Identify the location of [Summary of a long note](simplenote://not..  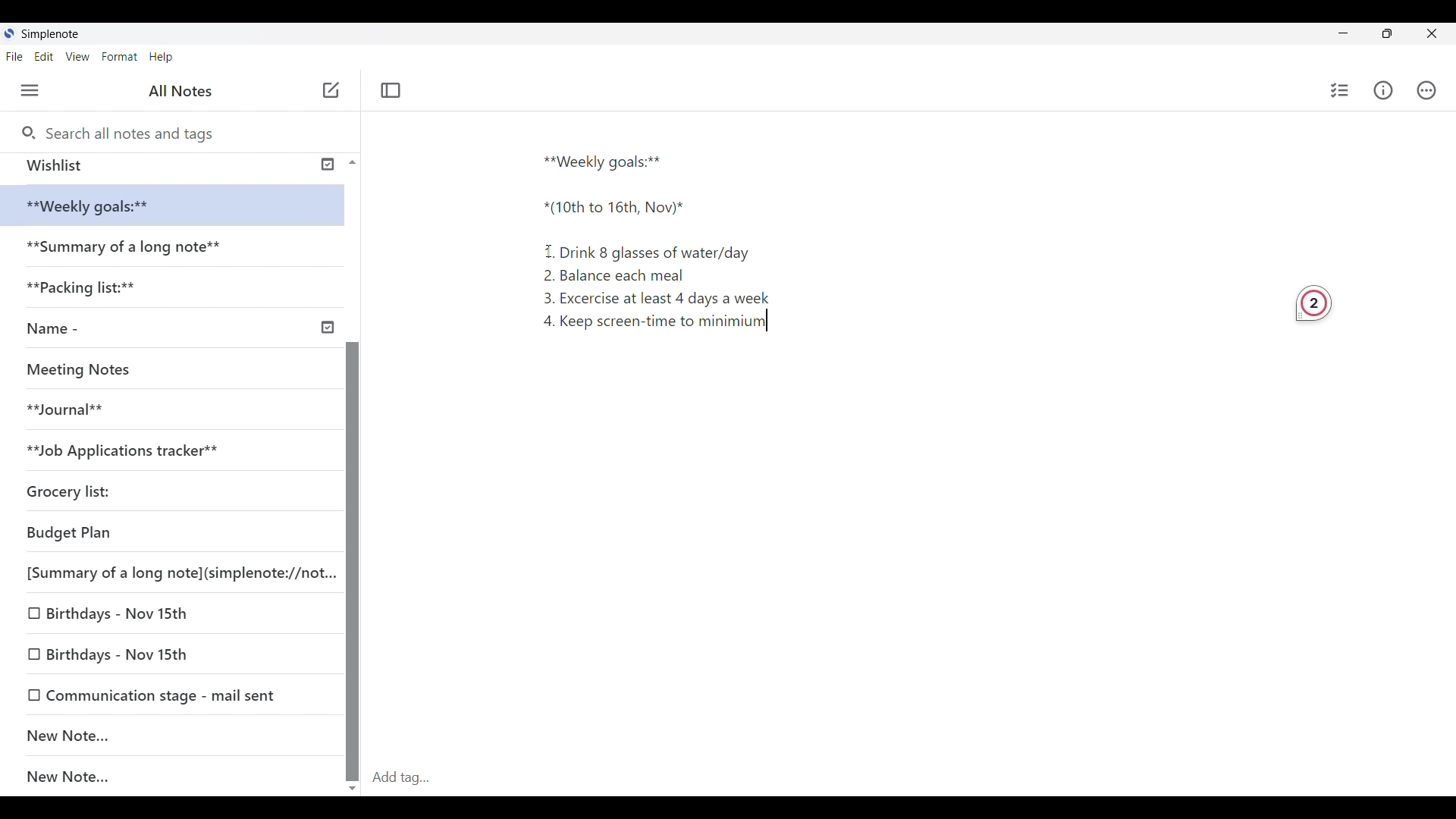
(171, 572).